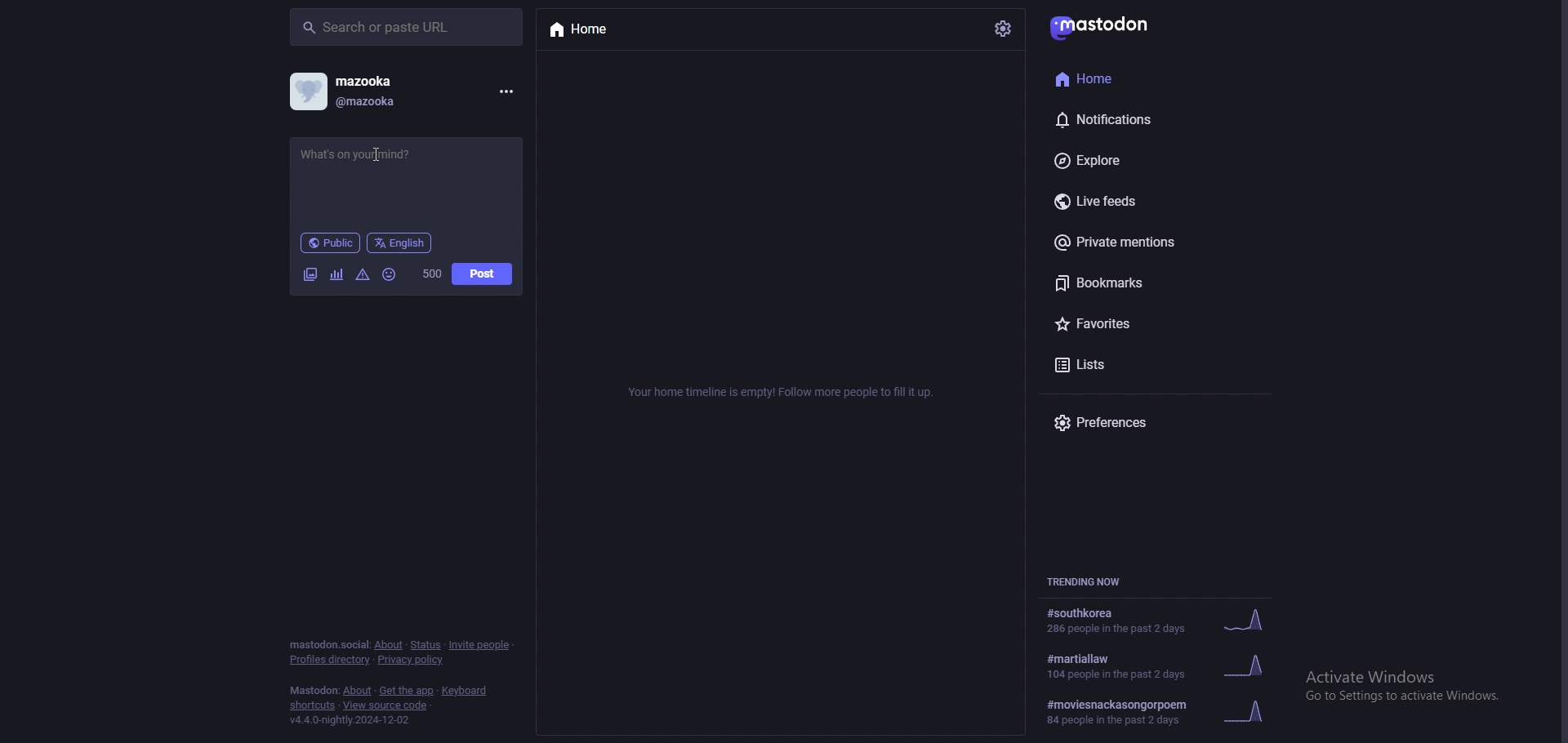 This screenshot has height=743, width=1568. I want to click on audience, so click(331, 242).